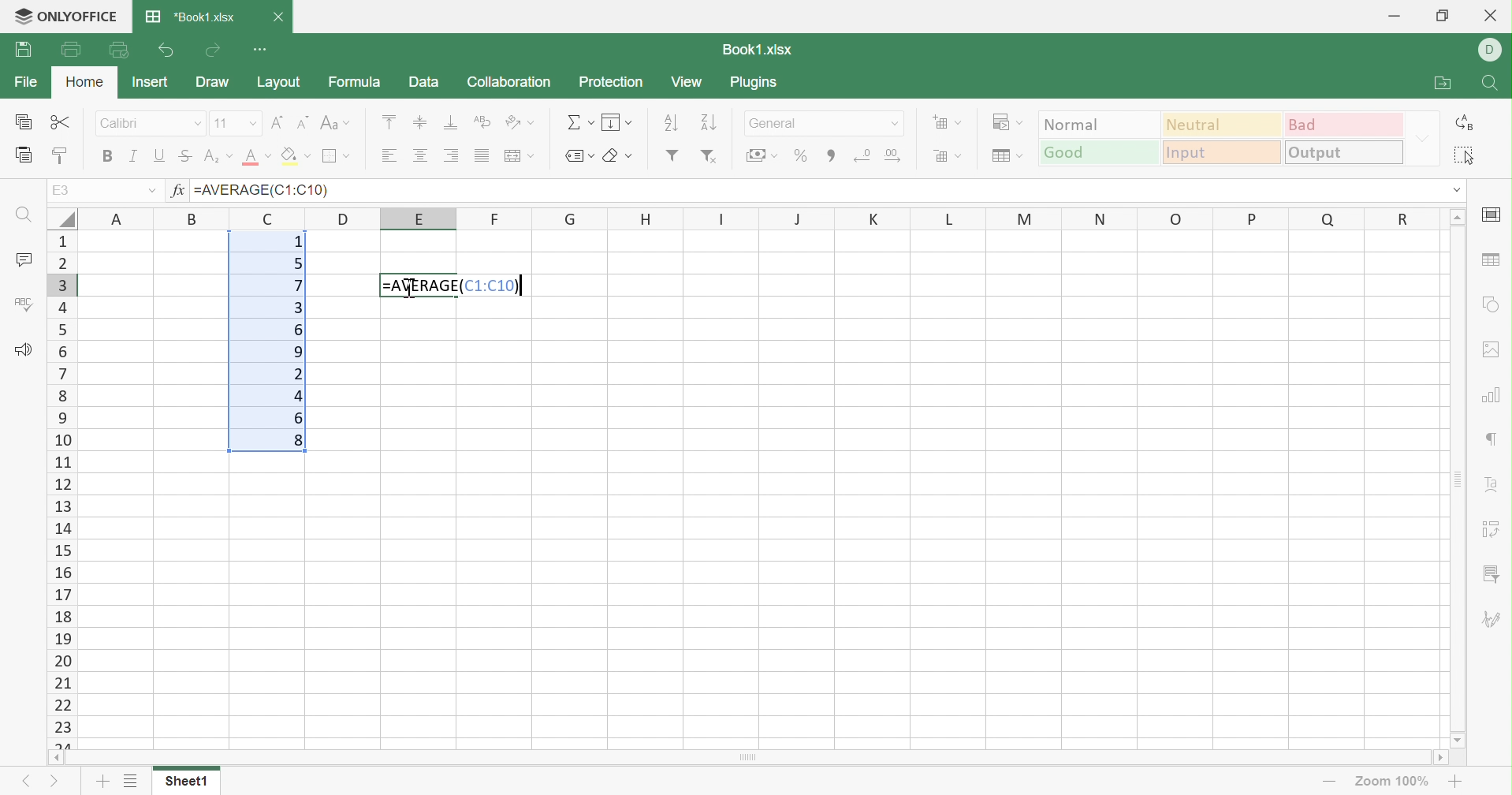  Describe the element at coordinates (69, 49) in the screenshot. I see `Print` at that location.